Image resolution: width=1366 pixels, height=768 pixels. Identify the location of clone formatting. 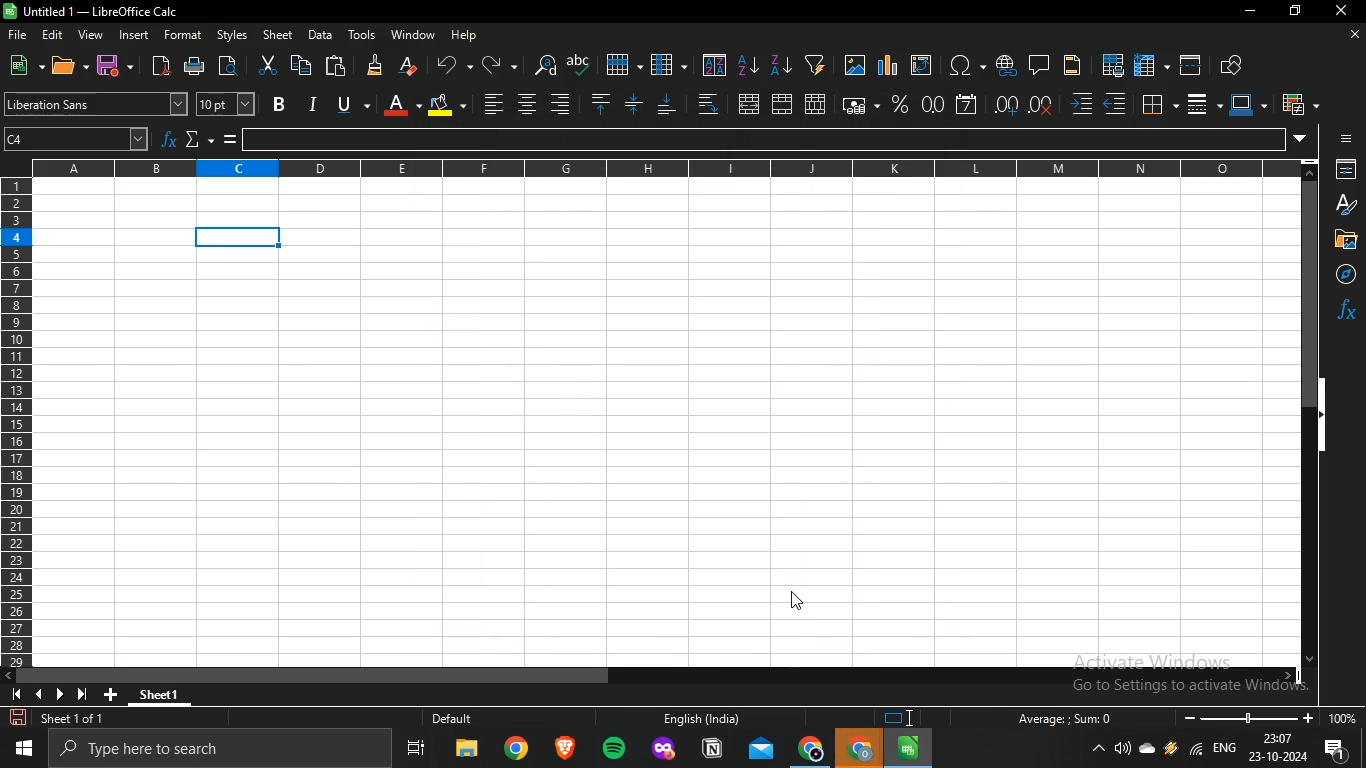
(374, 66).